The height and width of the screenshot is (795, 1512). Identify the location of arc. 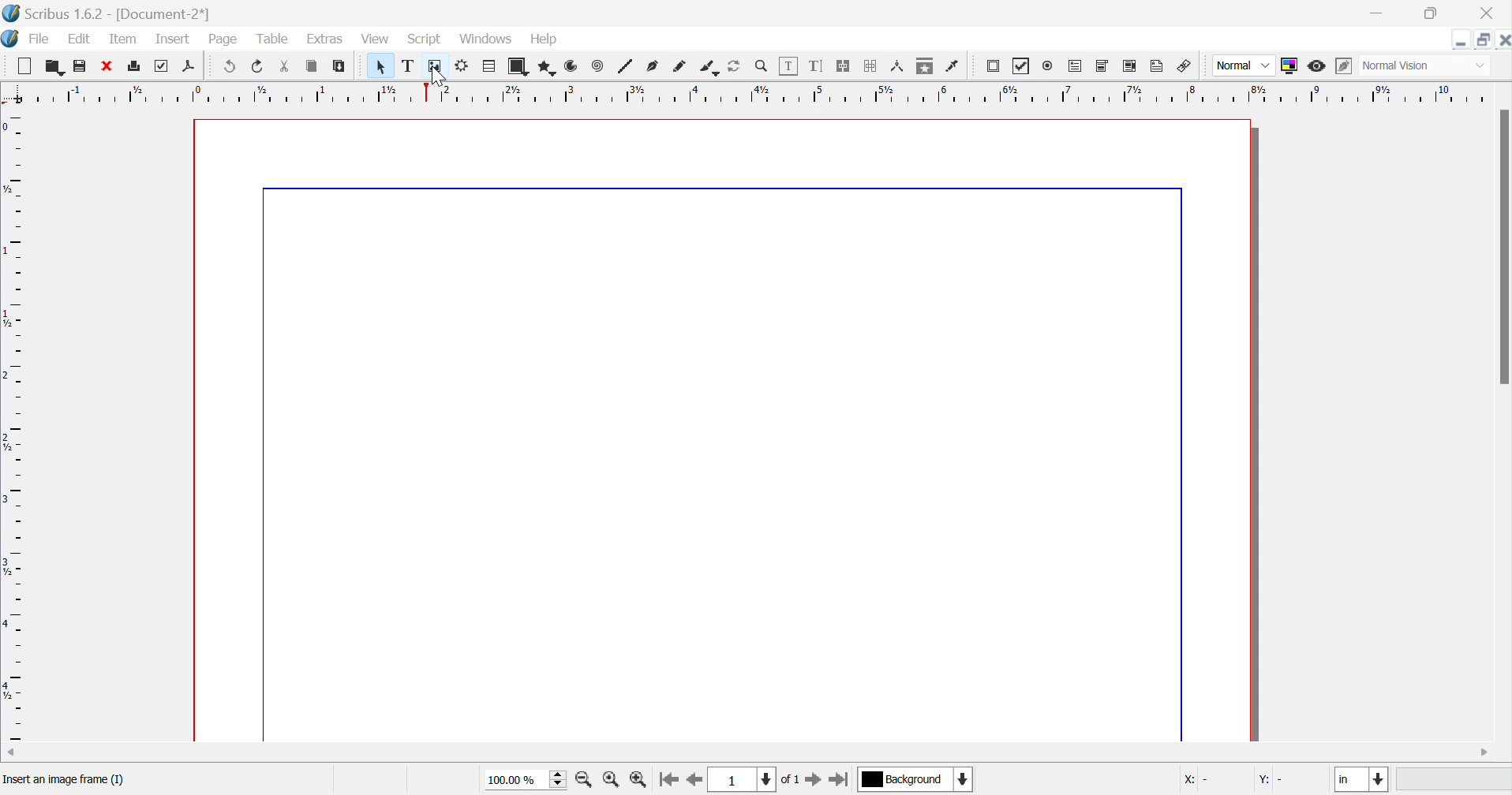
(572, 65).